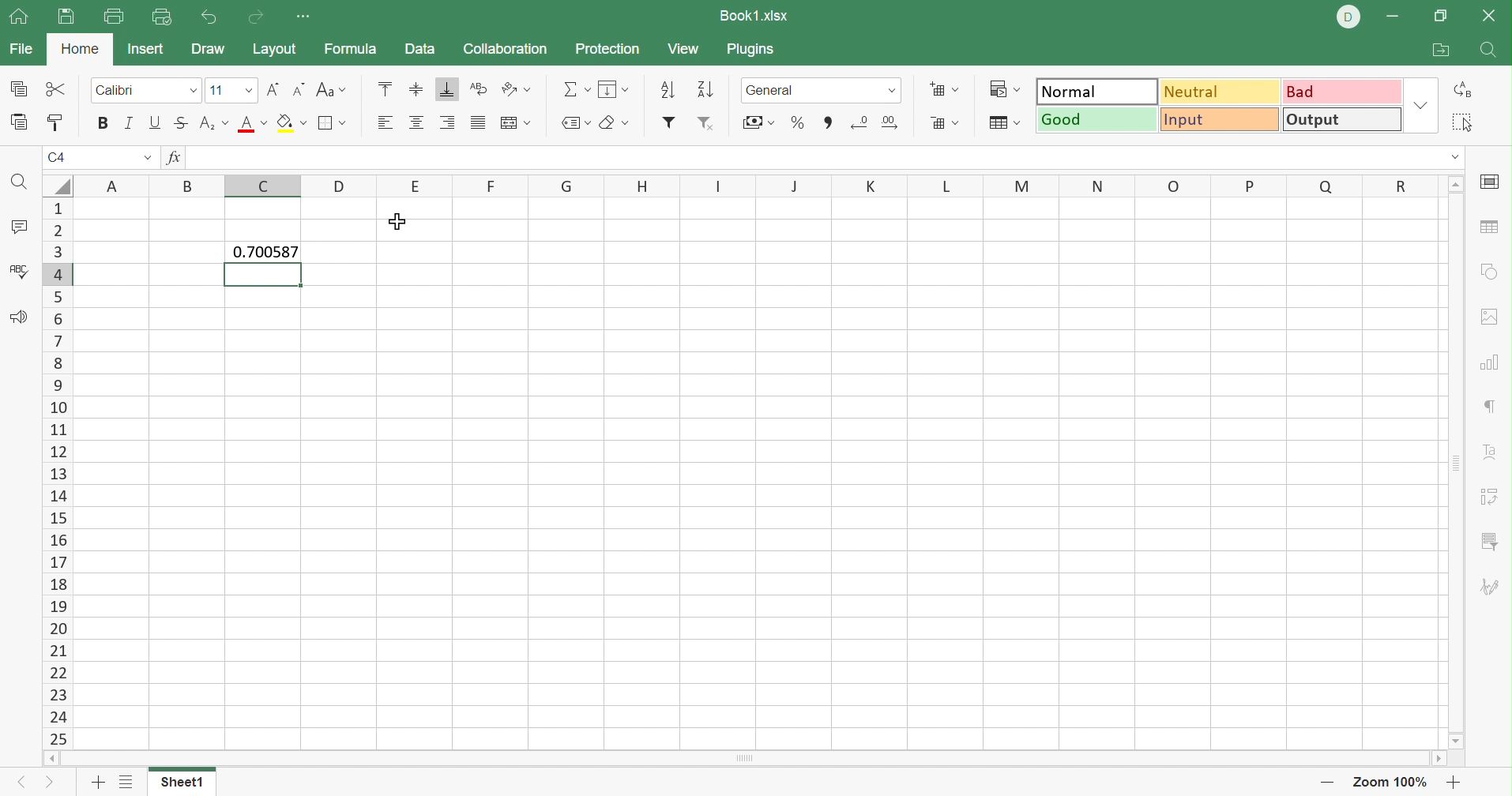 Image resolution: width=1512 pixels, height=796 pixels. I want to click on Delete cell, so click(942, 124).